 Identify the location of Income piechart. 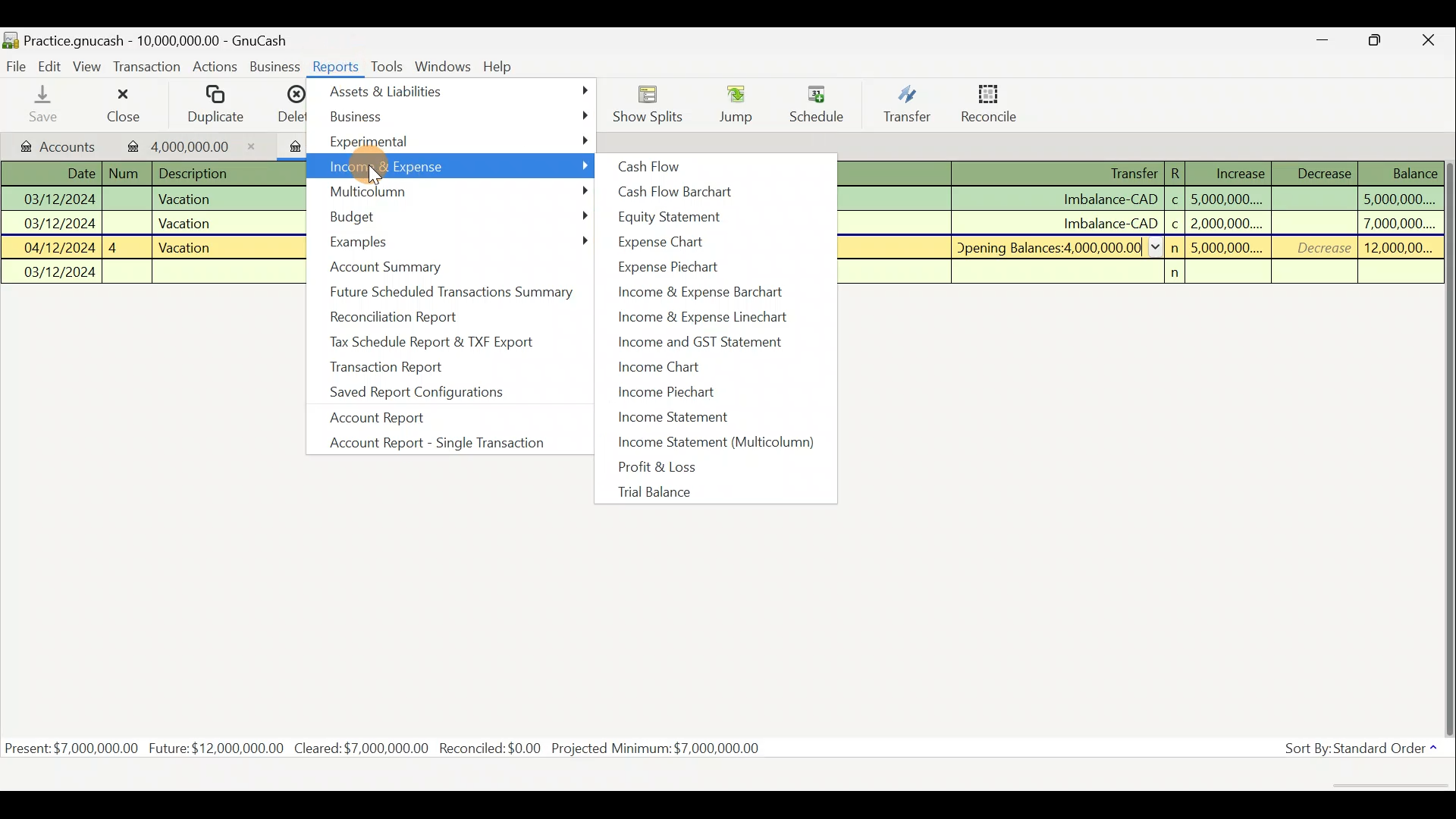
(695, 394).